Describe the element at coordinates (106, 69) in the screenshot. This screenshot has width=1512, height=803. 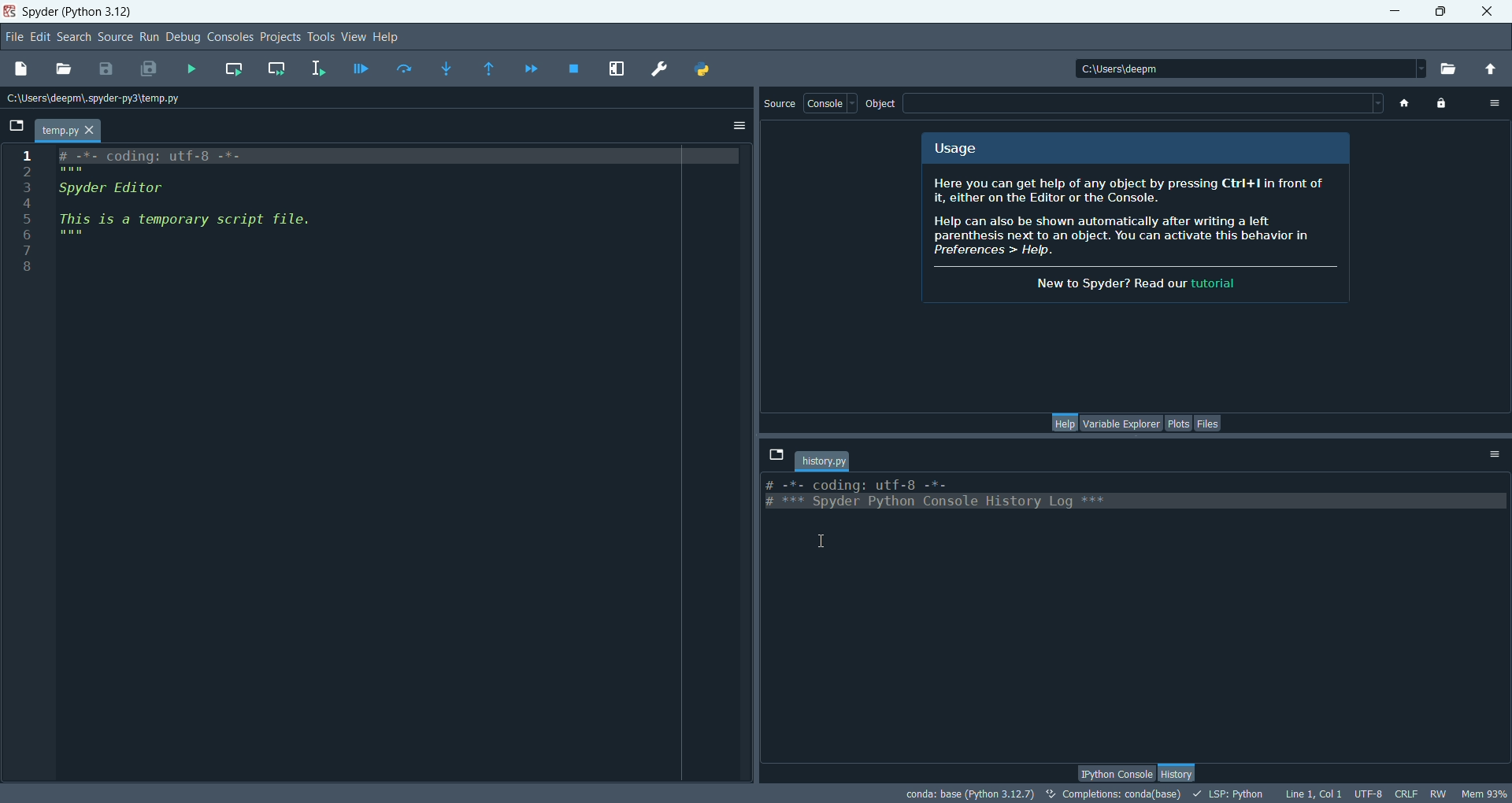
I see `save` at that location.